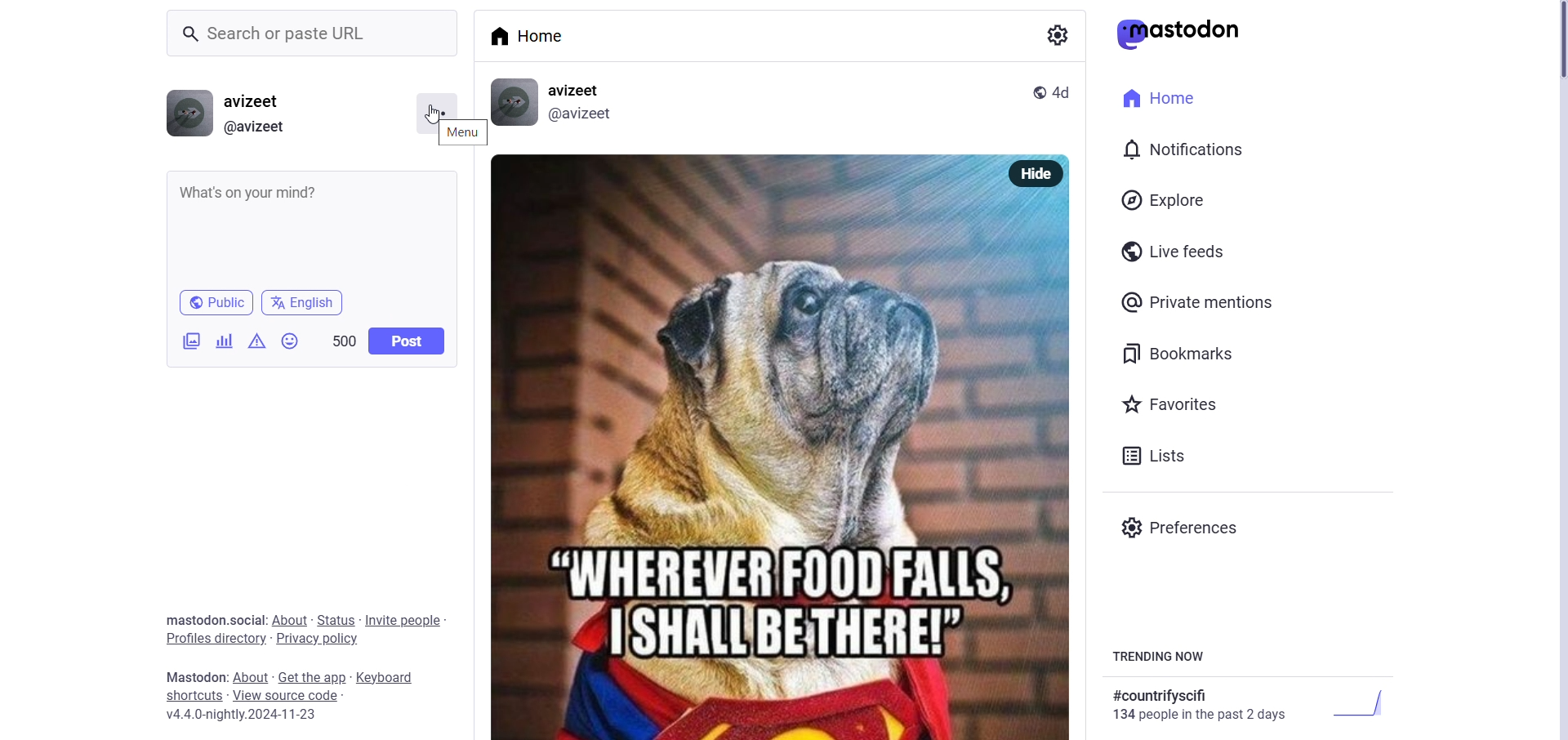 This screenshot has height=740, width=1568. What do you see at coordinates (408, 341) in the screenshot?
I see `post` at bounding box center [408, 341].